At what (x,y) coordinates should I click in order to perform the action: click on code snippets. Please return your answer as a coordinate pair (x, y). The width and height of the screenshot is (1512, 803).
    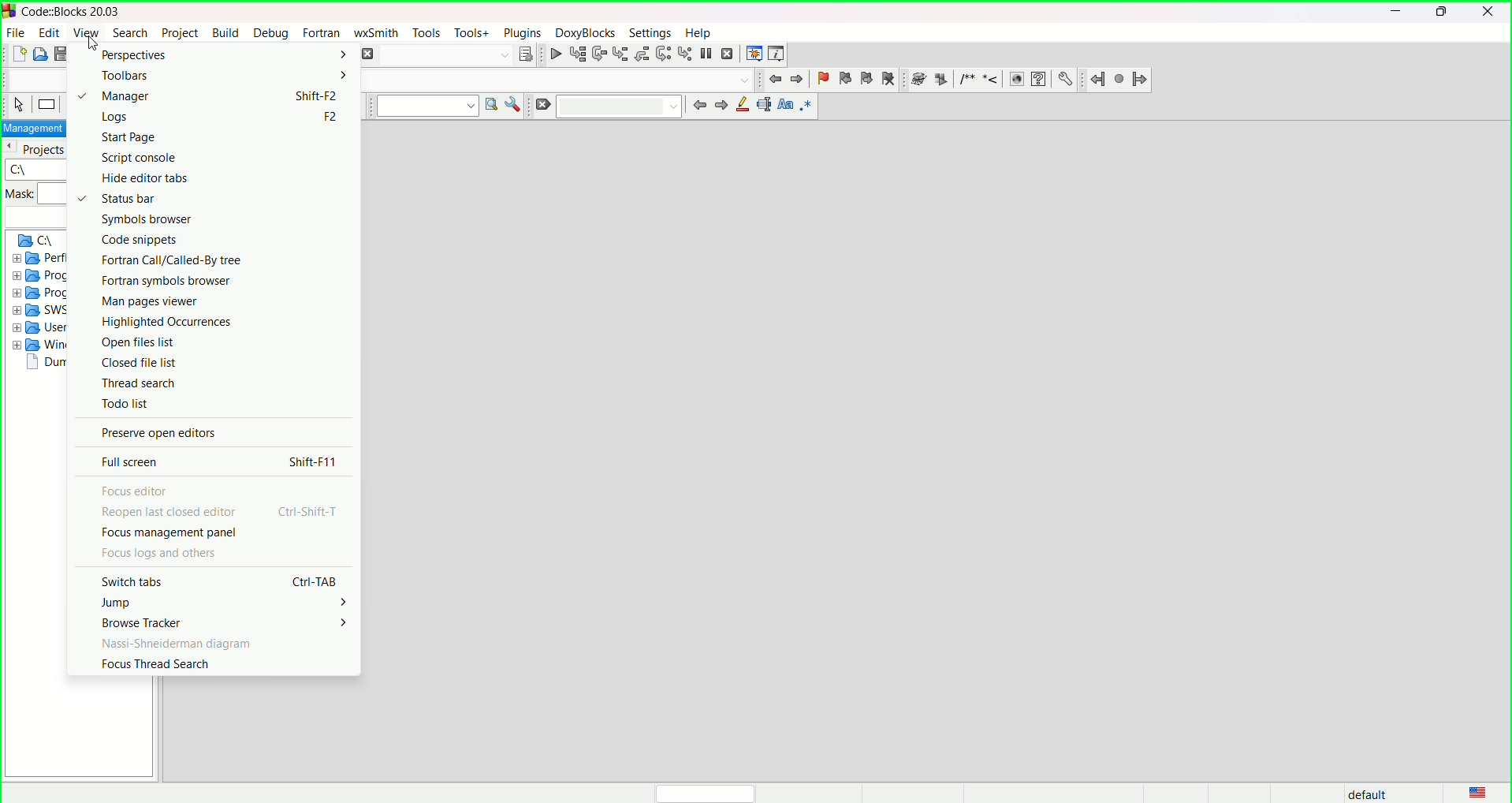
    Looking at the image, I should click on (139, 239).